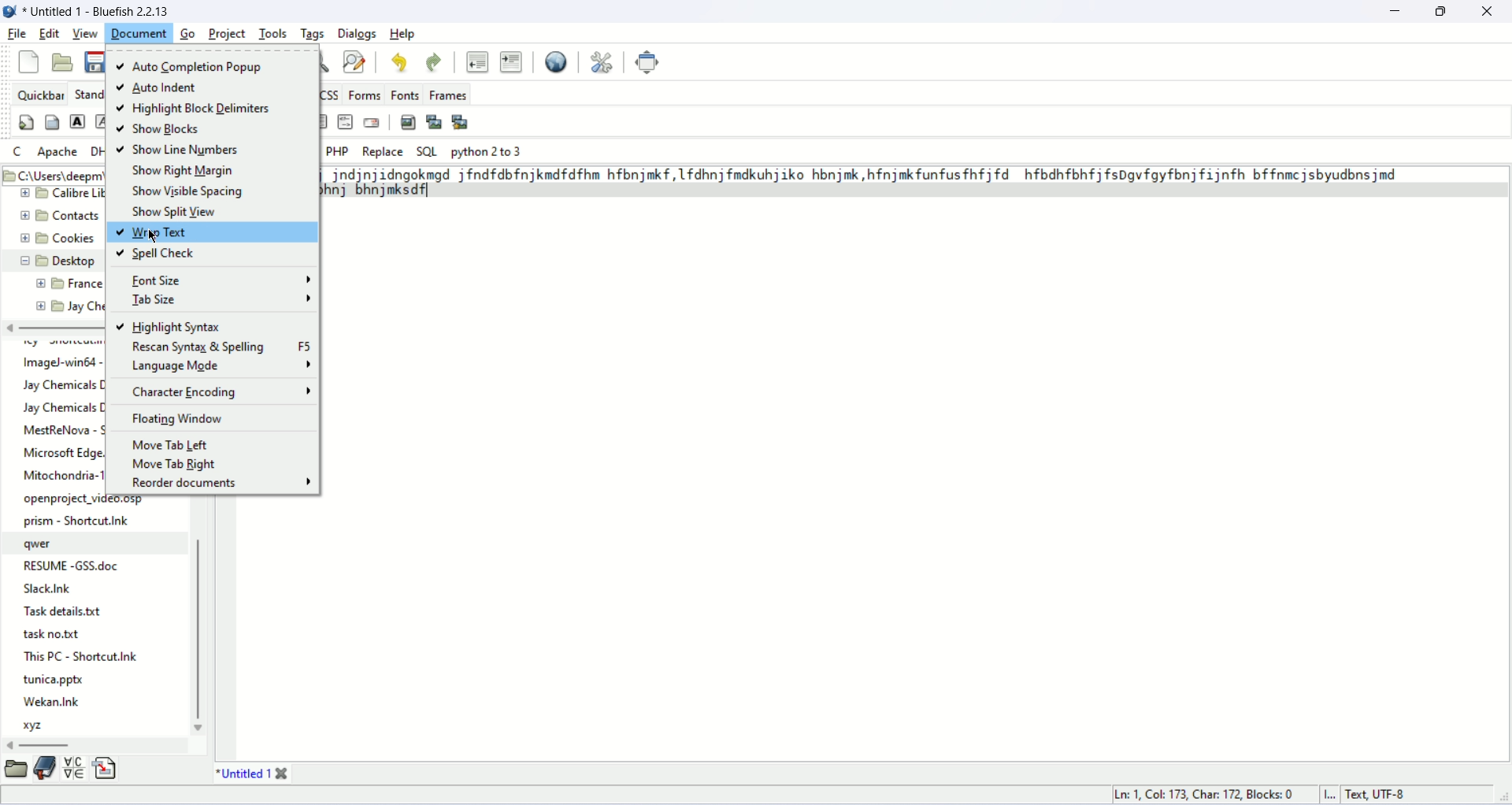 This screenshot has height=805, width=1512. What do you see at coordinates (56, 679) in the screenshot?
I see `tunica.pptx` at bounding box center [56, 679].